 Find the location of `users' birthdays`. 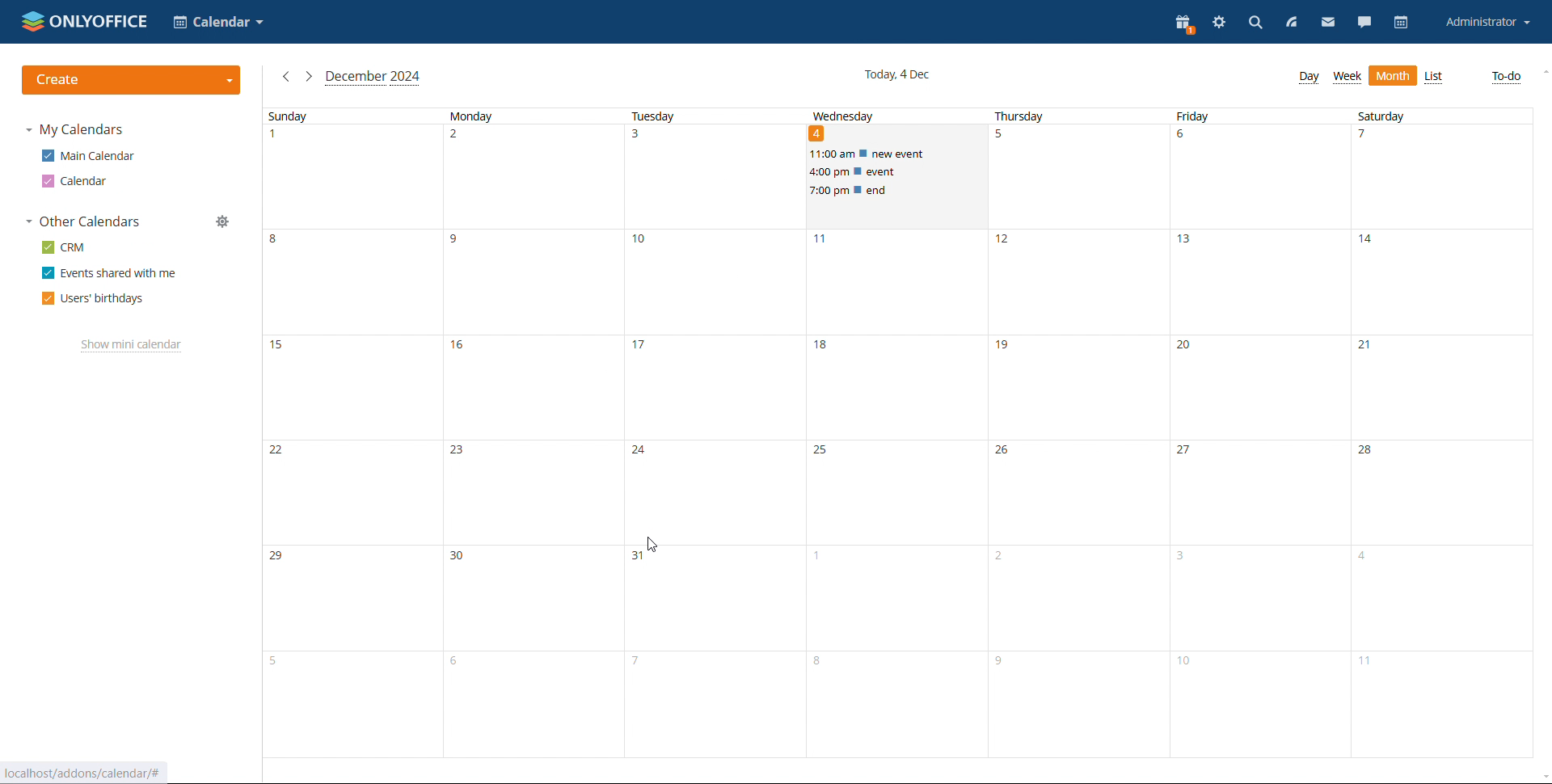

users' birthdays is located at coordinates (95, 299).